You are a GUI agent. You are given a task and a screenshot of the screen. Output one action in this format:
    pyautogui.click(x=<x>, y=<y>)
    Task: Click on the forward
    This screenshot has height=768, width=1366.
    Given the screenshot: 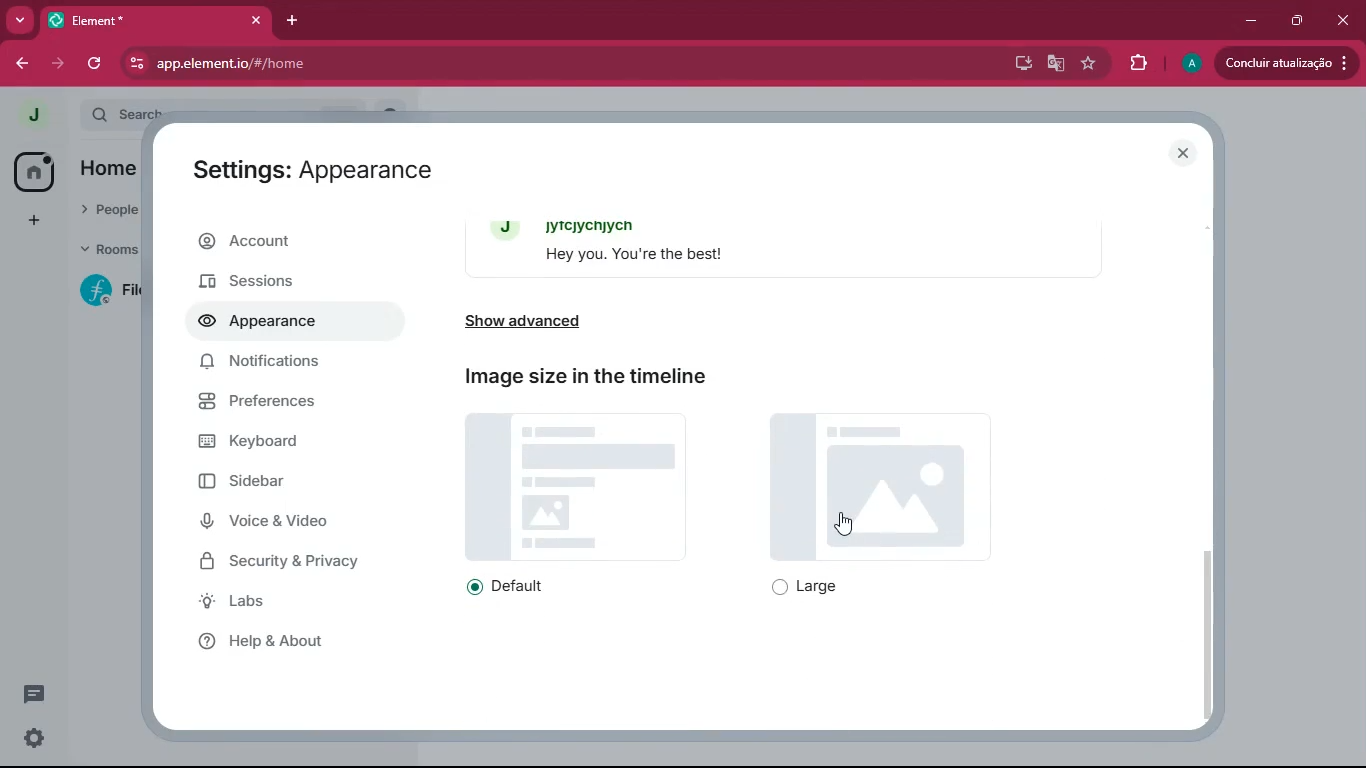 What is the action you would take?
    pyautogui.click(x=61, y=64)
    